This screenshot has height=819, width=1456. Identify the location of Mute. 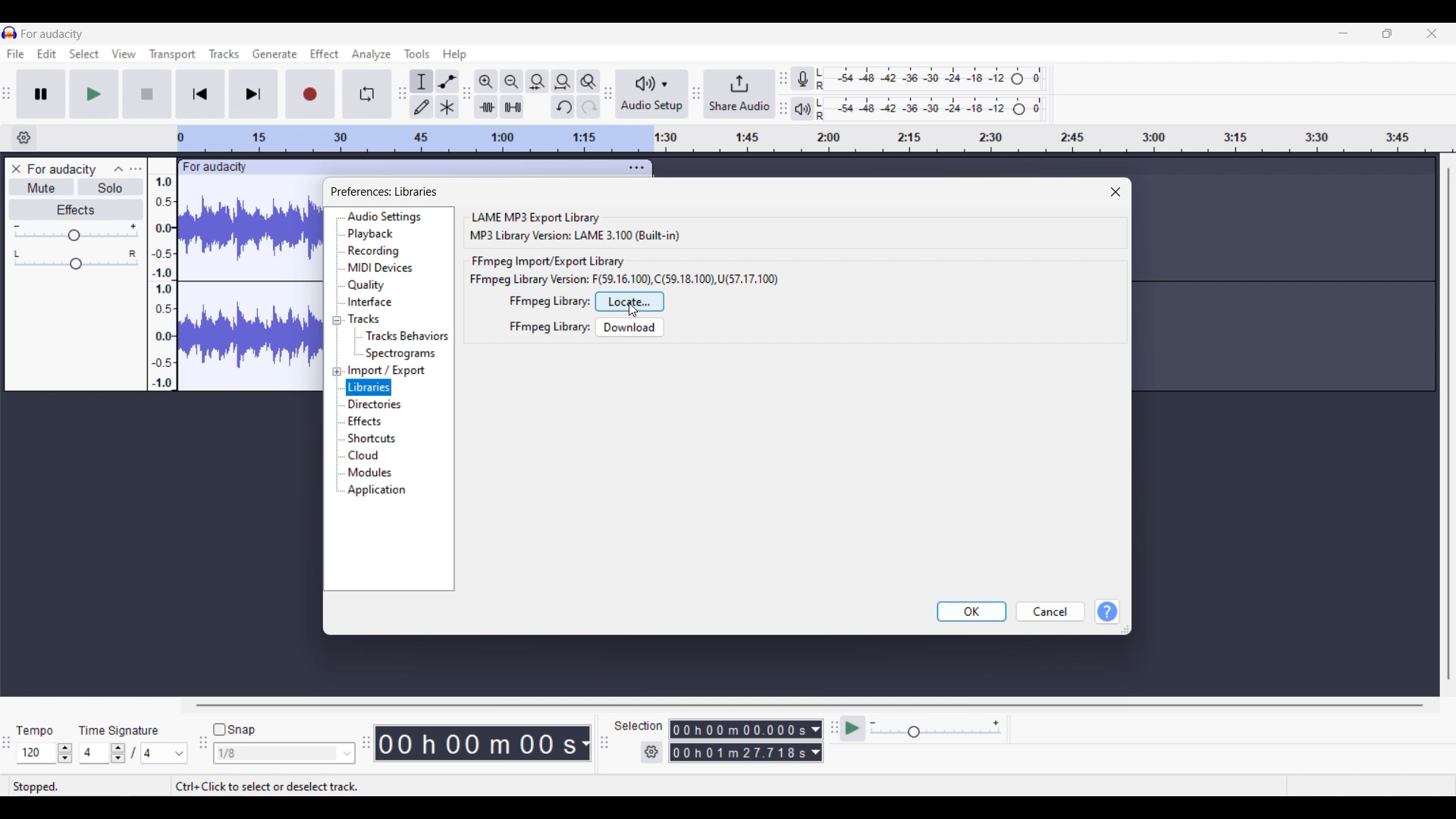
(42, 187).